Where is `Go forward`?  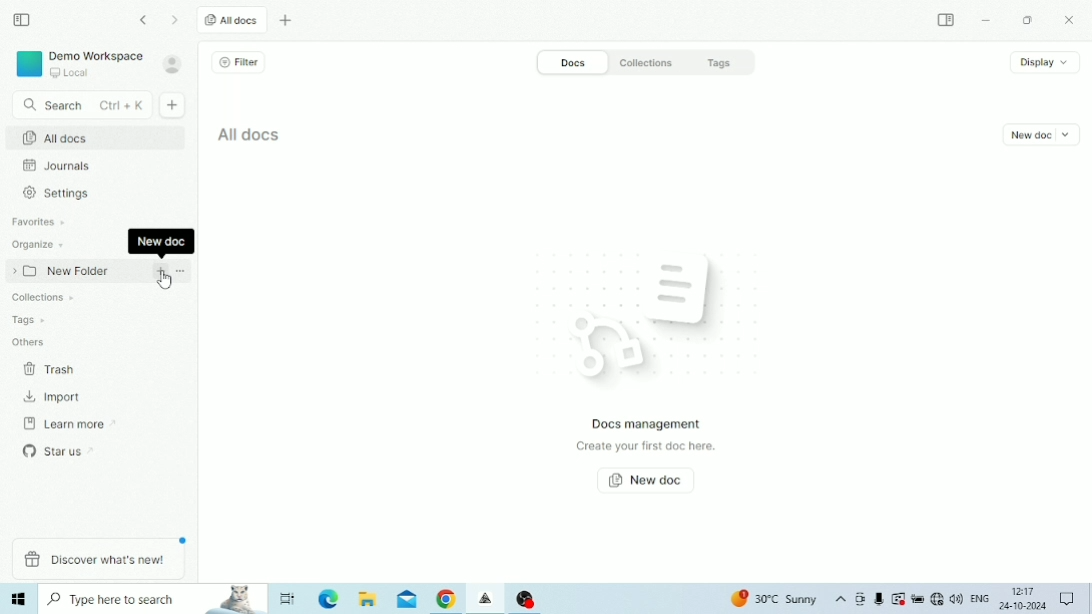
Go forward is located at coordinates (176, 20).